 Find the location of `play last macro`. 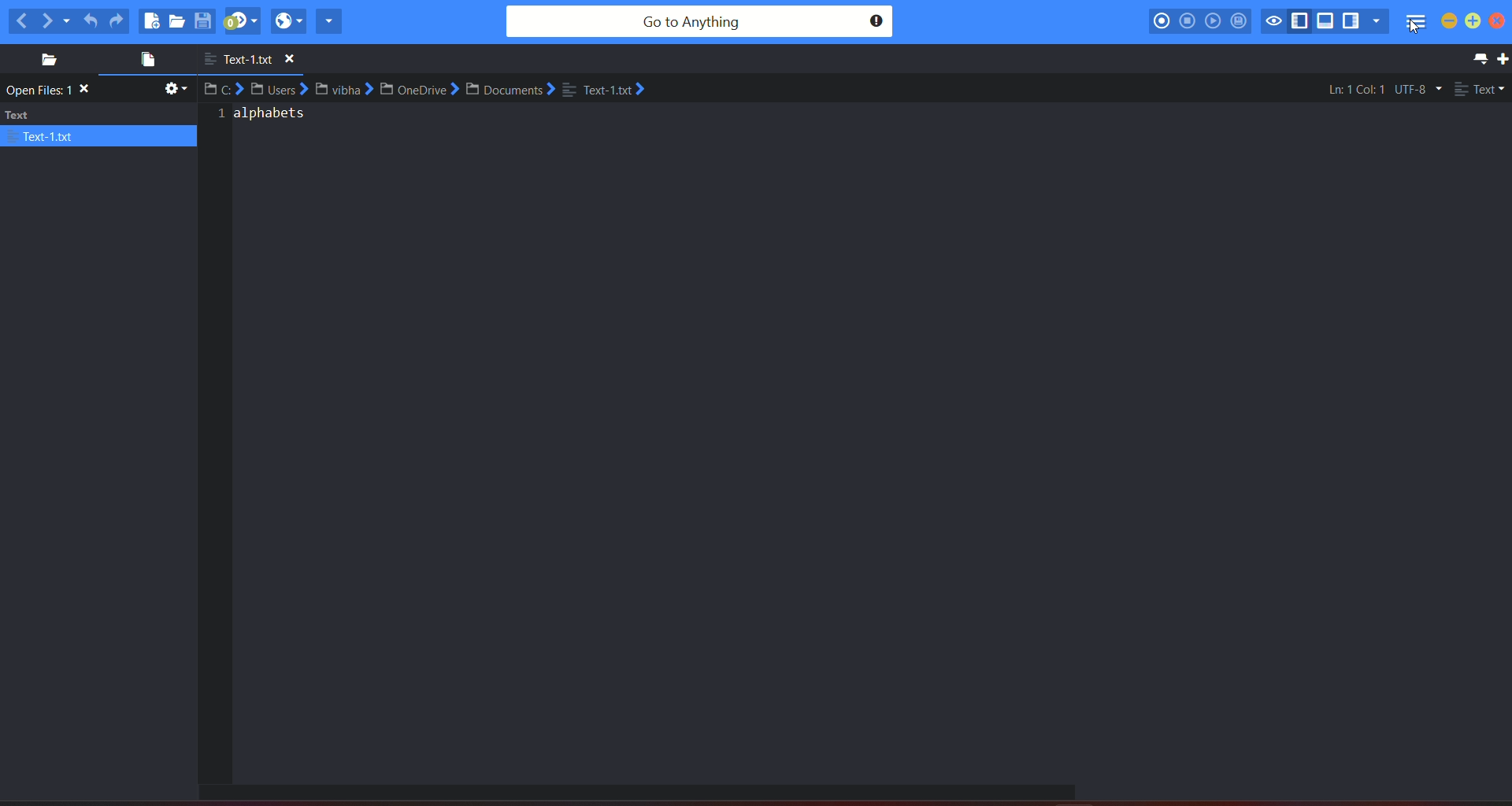

play last macro is located at coordinates (1214, 21).